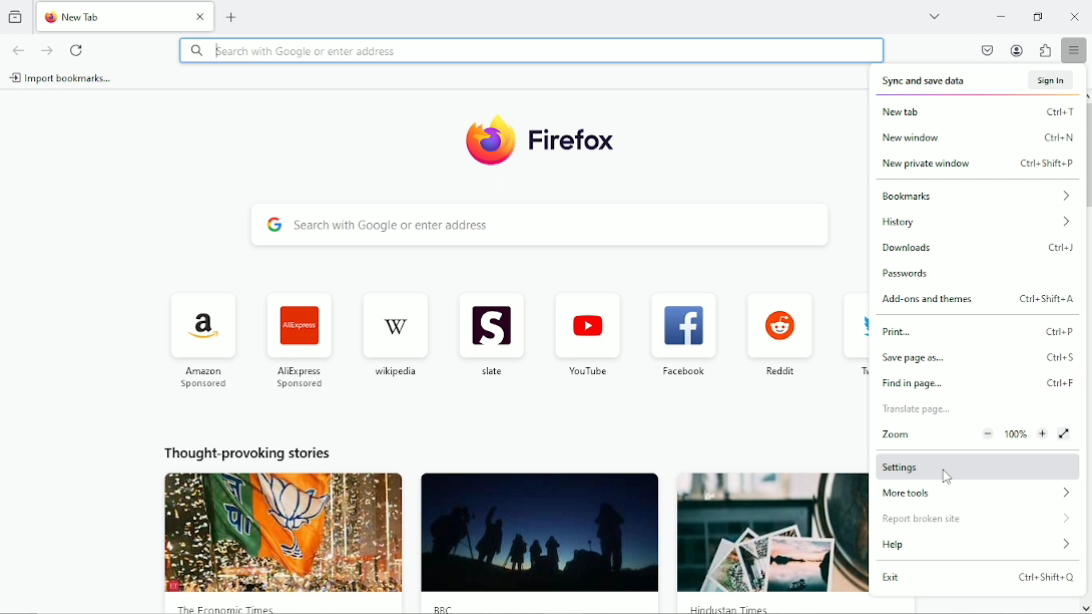 The width and height of the screenshot is (1092, 614). Describe the element at coordinates (588, 335) in the screenshot. I see `youtube` at that location.